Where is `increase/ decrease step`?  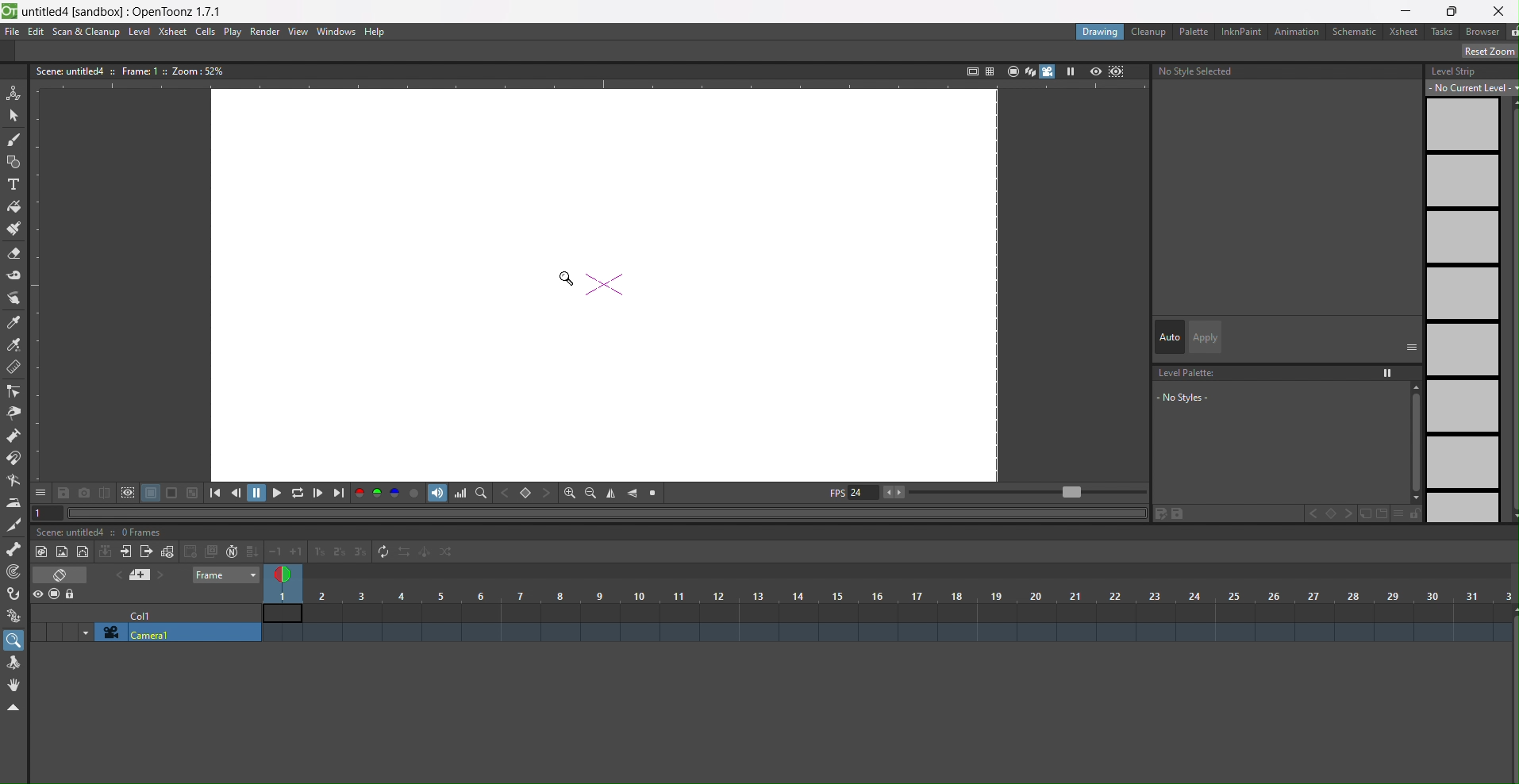
increase/ decrease step is located at coordinates (317, 553).